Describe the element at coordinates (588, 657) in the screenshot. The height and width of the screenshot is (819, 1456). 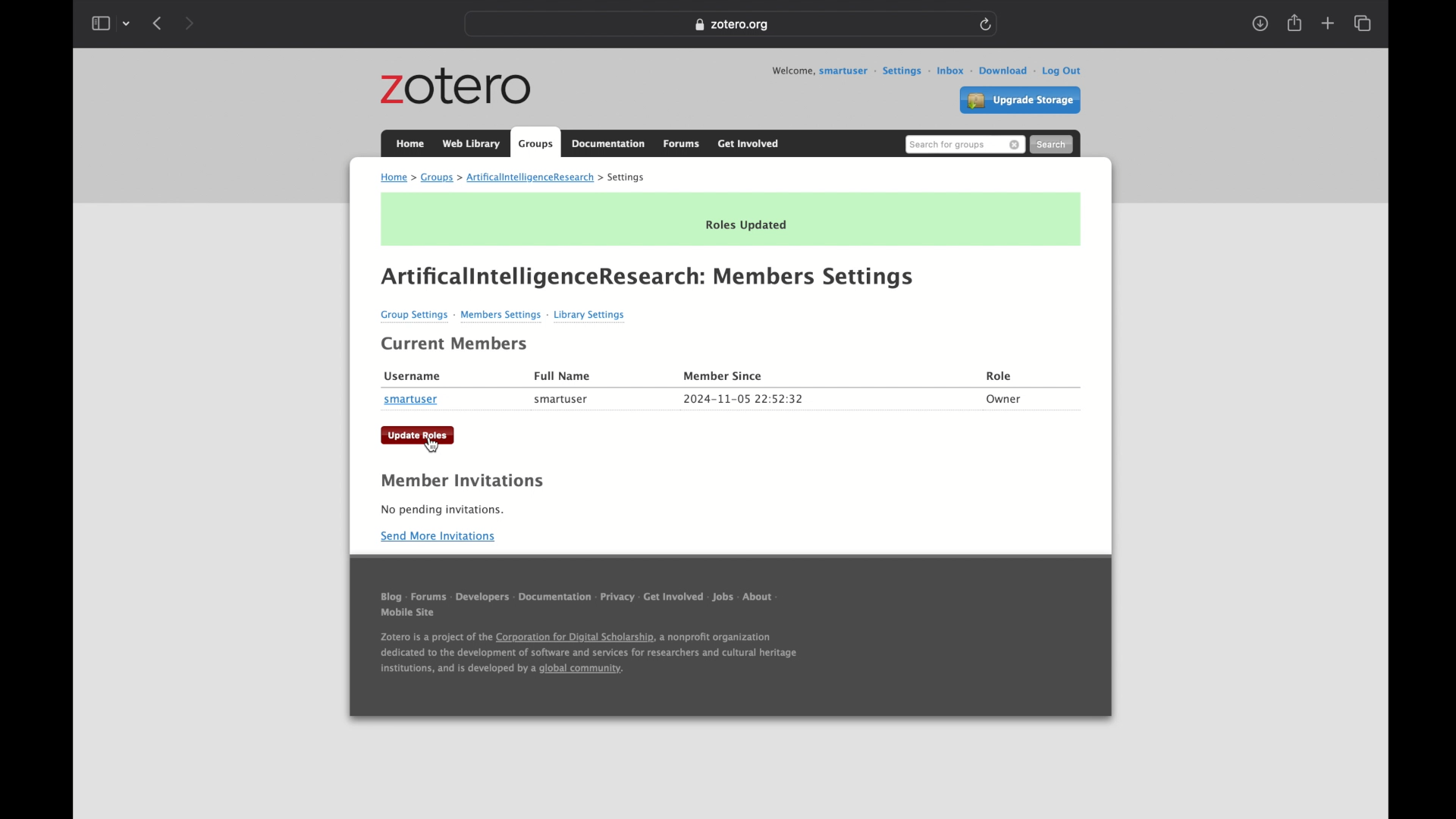
I see `footnote` at that location.